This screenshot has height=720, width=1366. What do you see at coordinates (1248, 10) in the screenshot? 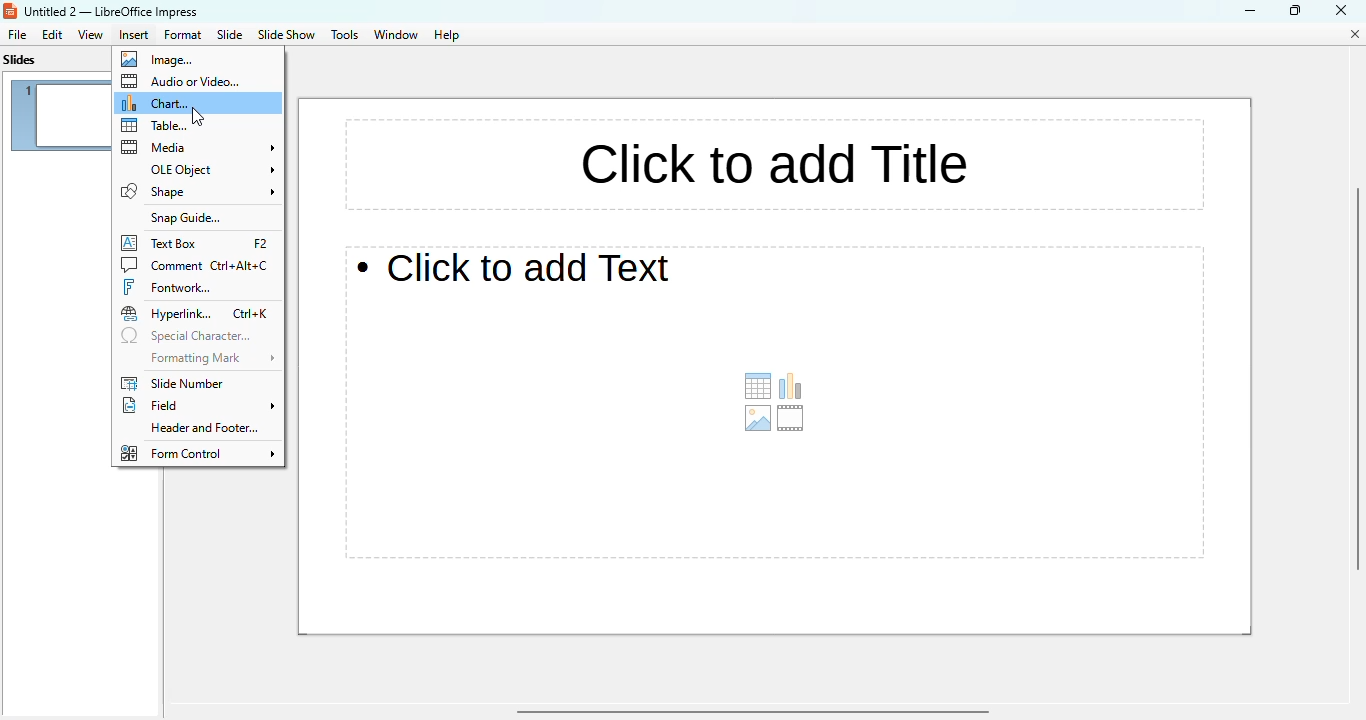
I see `minimize` at bounding box center [1248, 10].